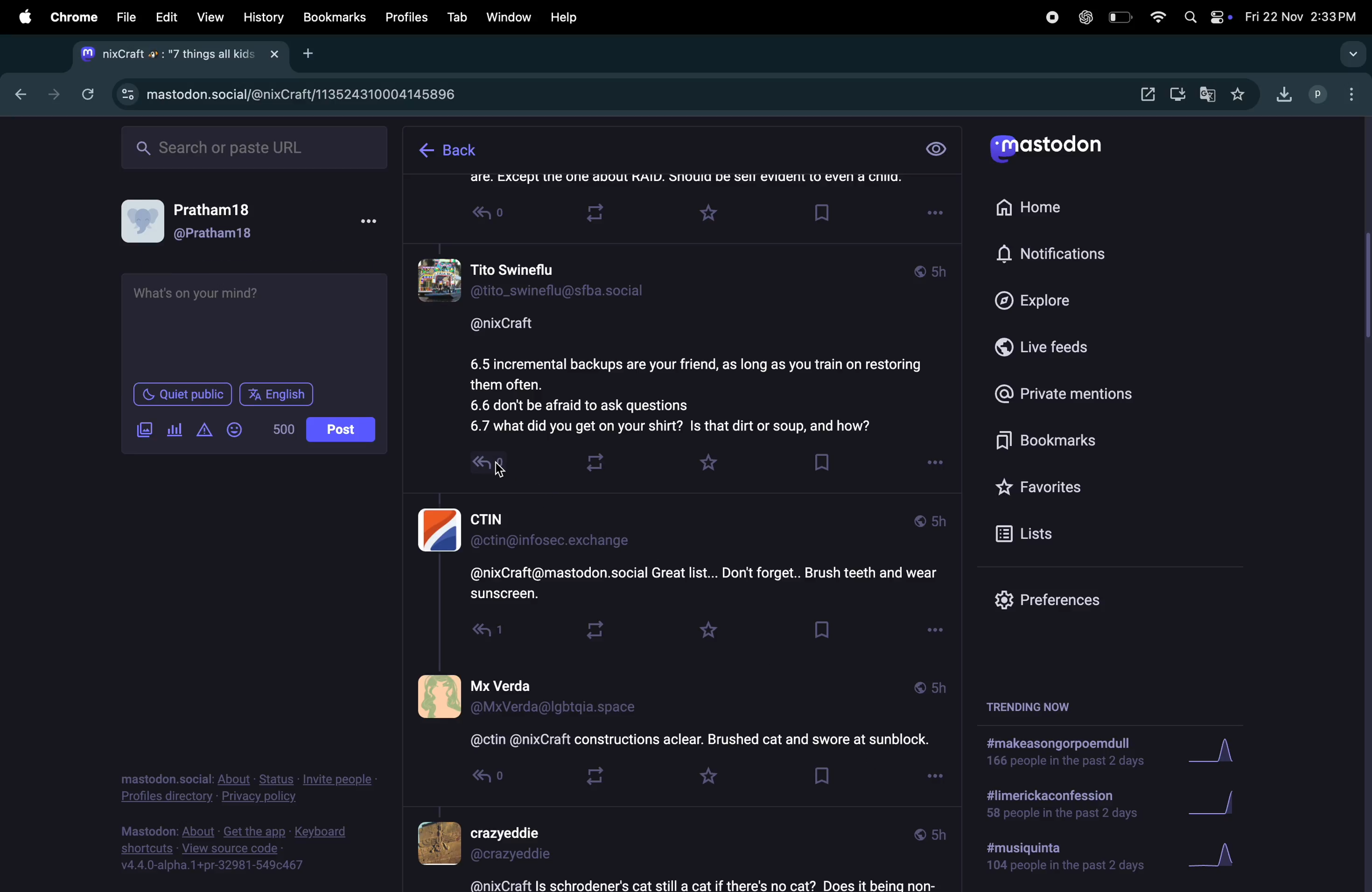  I want to click on history, so click(265, 17).